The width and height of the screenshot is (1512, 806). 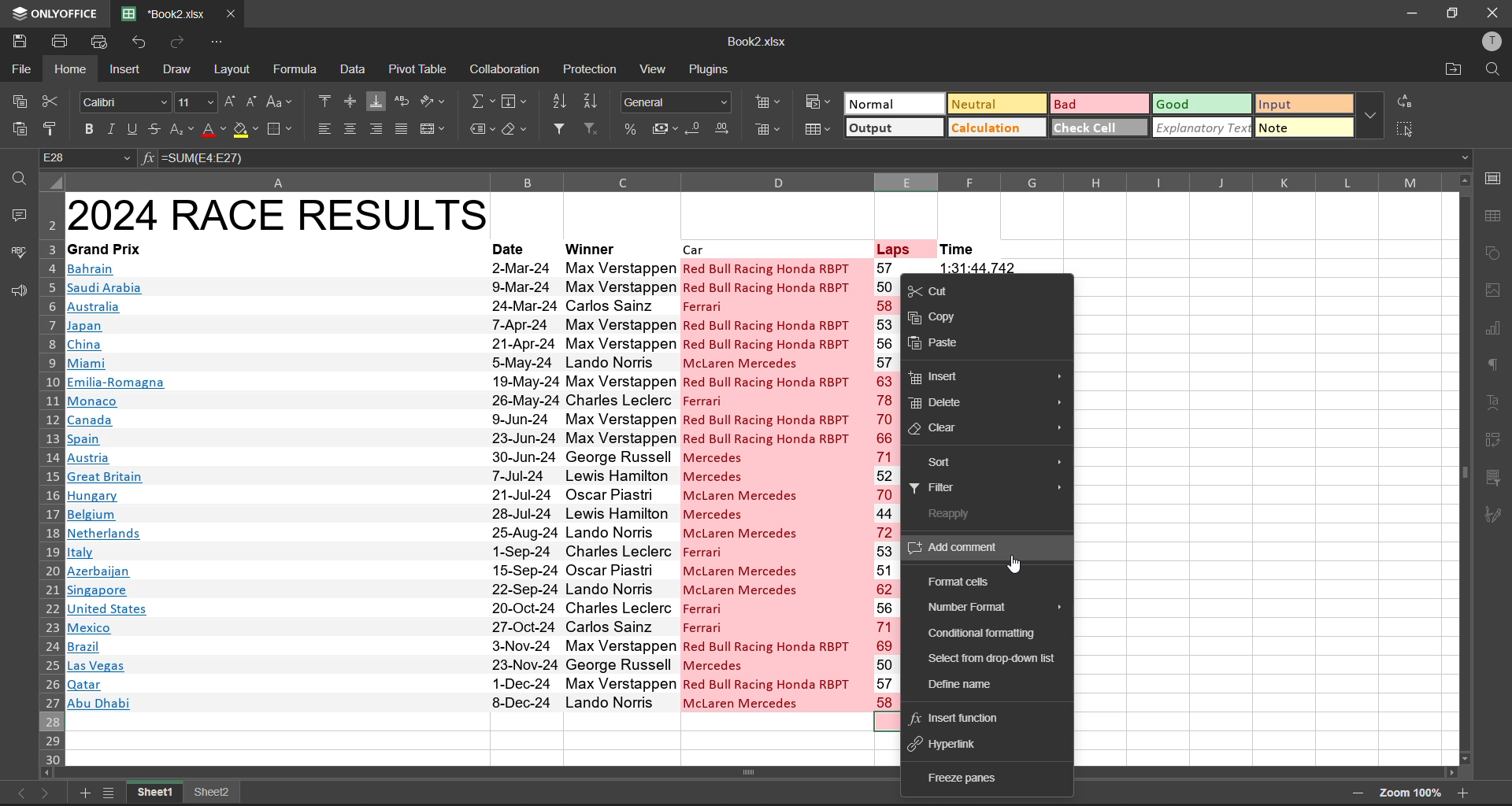 I want to click on feedback, so click(x=16, y=290).